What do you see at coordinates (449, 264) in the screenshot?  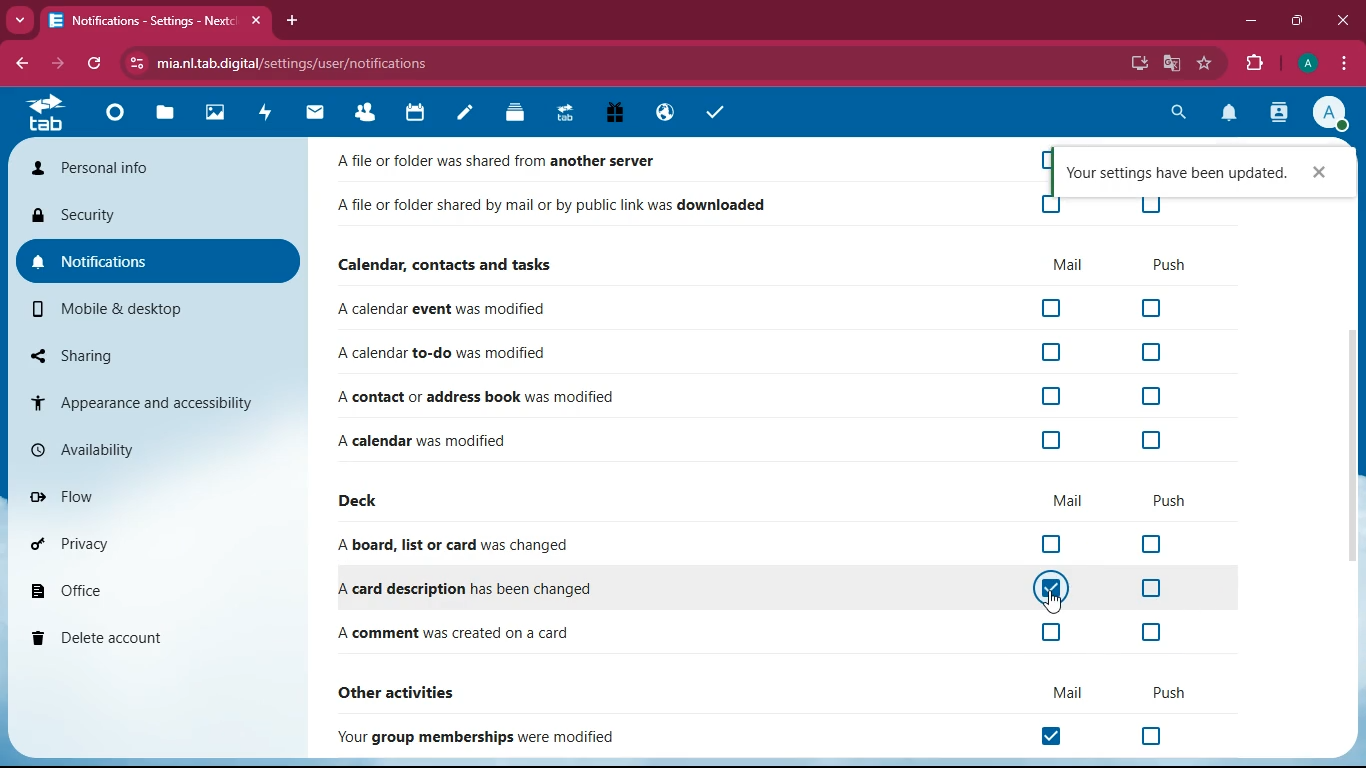 I see `Calendar, contacts and tasks` at bounding box center [449, 264].